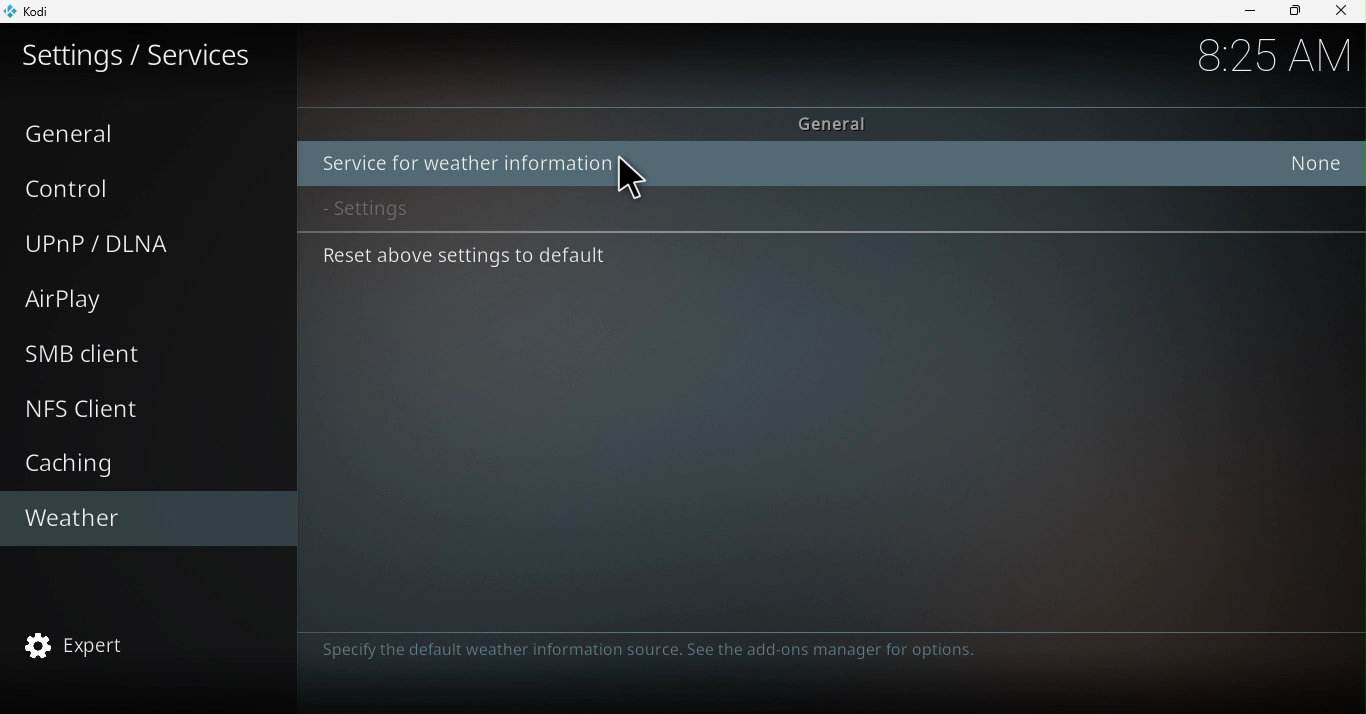 The image size is (1366, 714). Describe the element at coordinates (140, 63) in the screenshot. I see `Settings/Services` at that location.